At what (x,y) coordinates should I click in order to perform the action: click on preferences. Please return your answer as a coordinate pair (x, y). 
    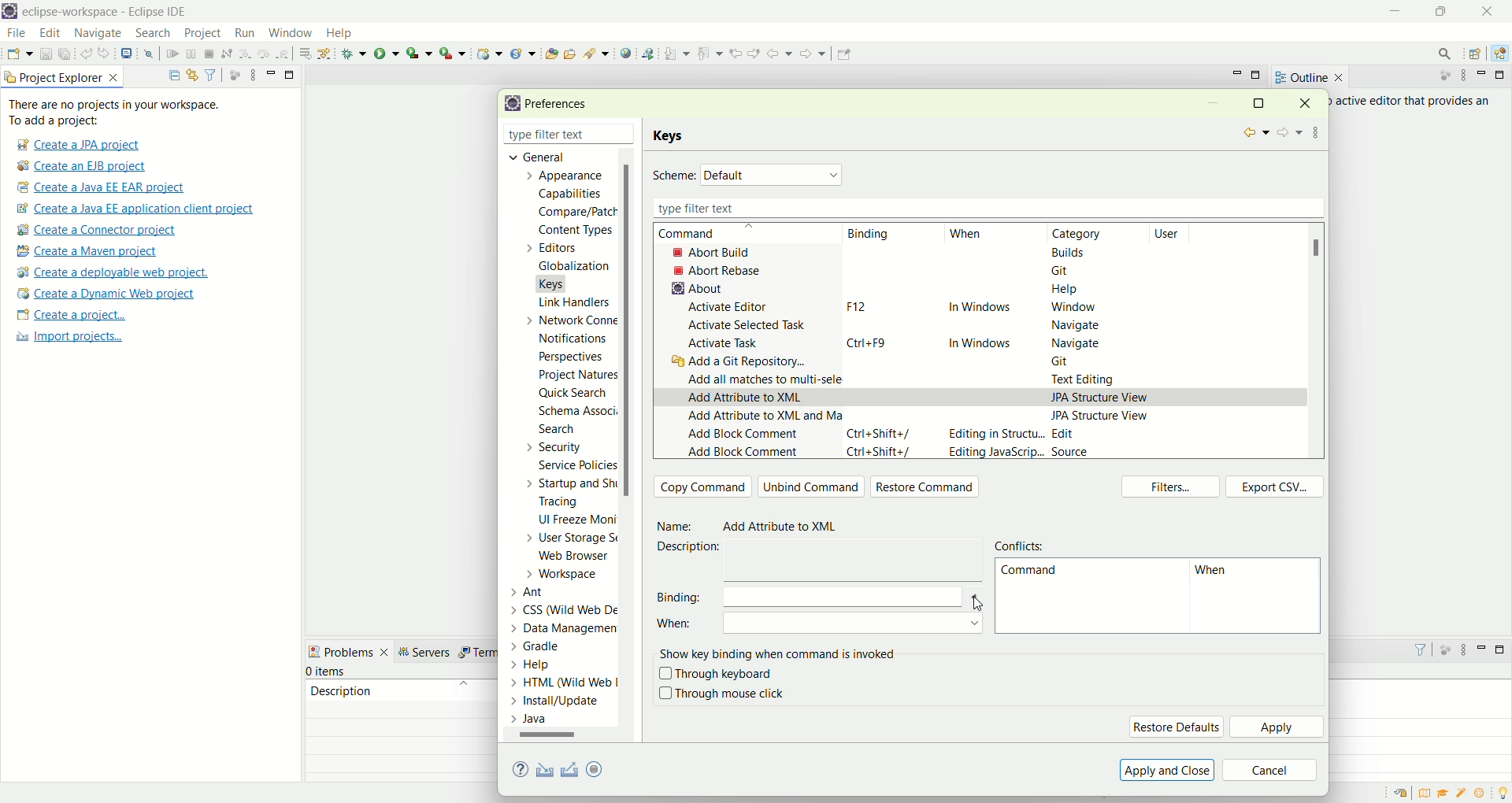
    Looking at the image, I should click on (561, 105).